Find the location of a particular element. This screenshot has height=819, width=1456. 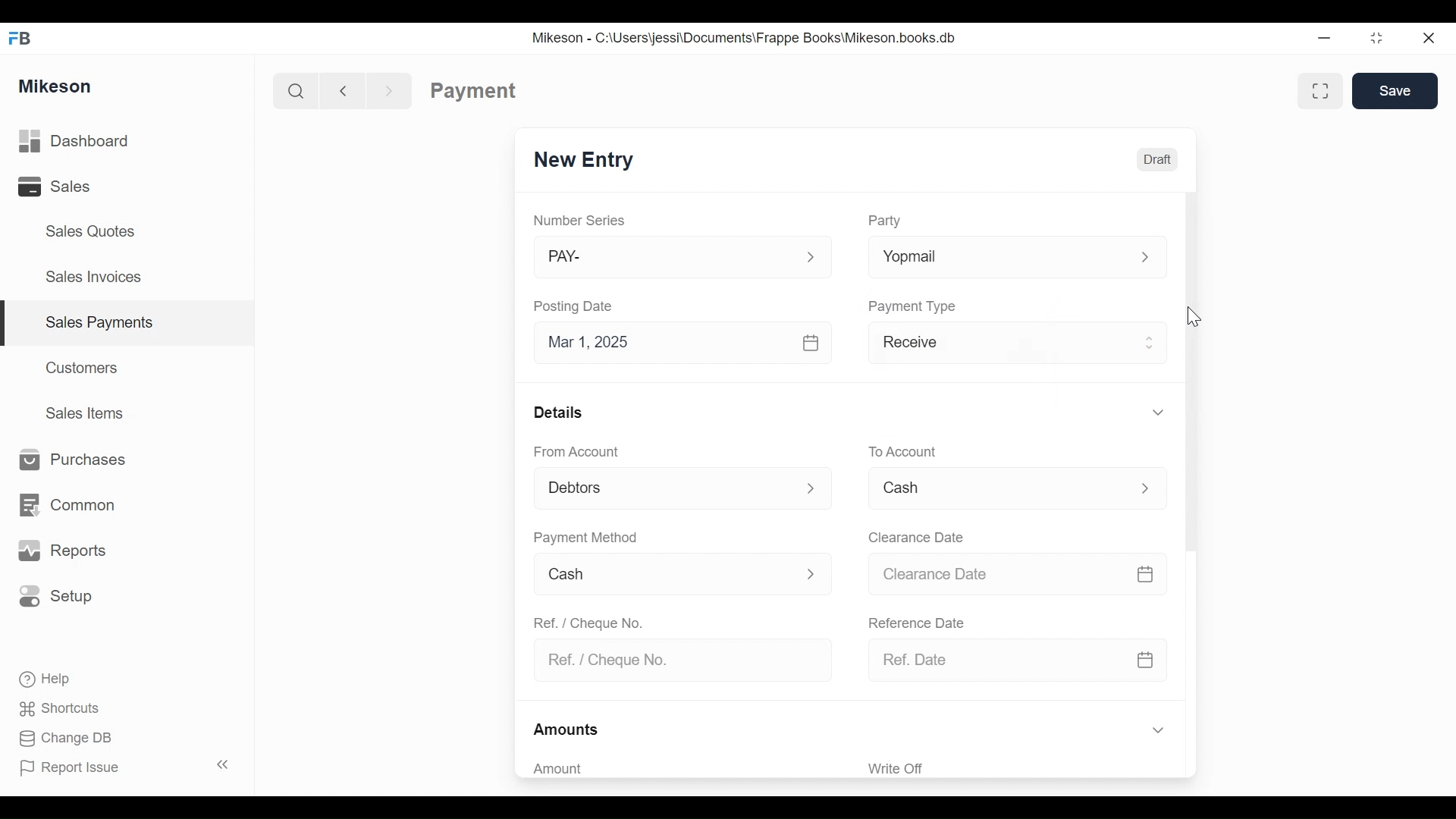

Payment Method is located at coordinates (587, 540).